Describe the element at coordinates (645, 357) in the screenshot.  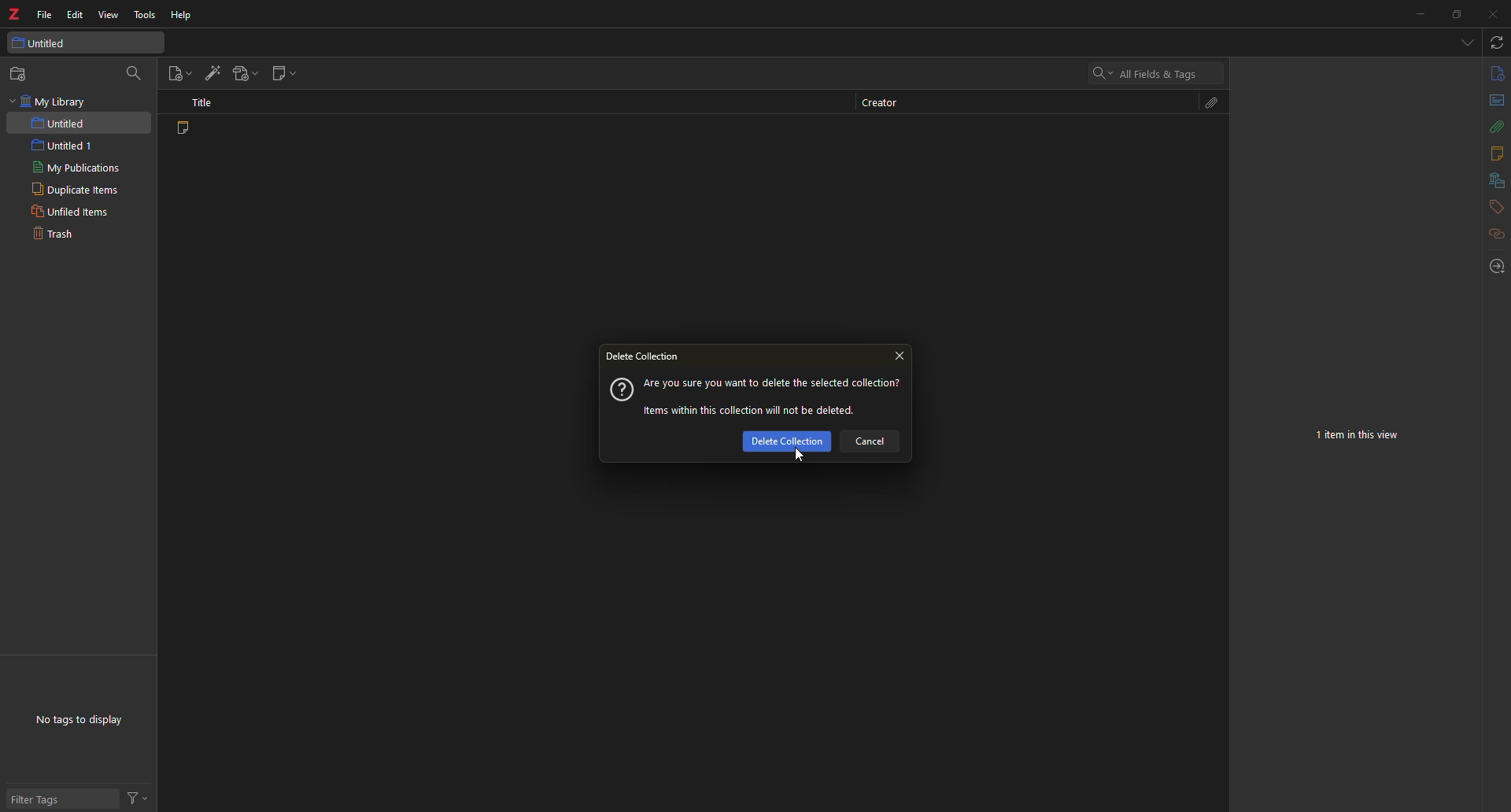
I see `delete collection` at that location.